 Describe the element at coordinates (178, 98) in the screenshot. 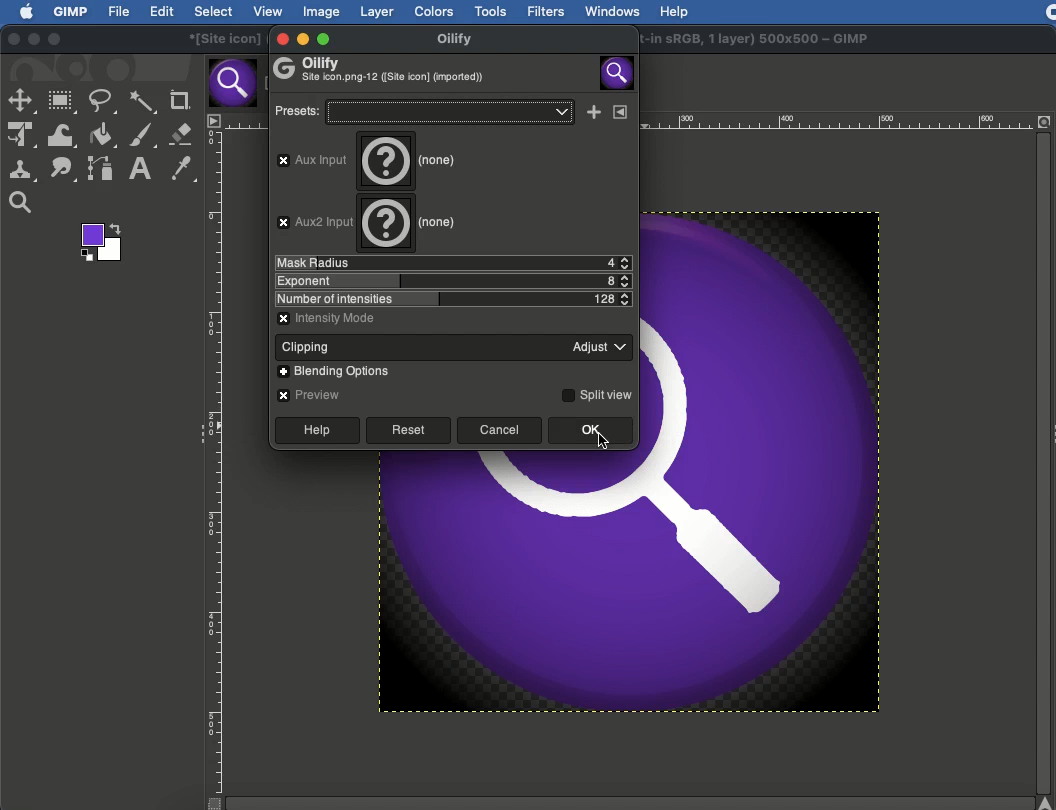

I see `Crop` at that location.